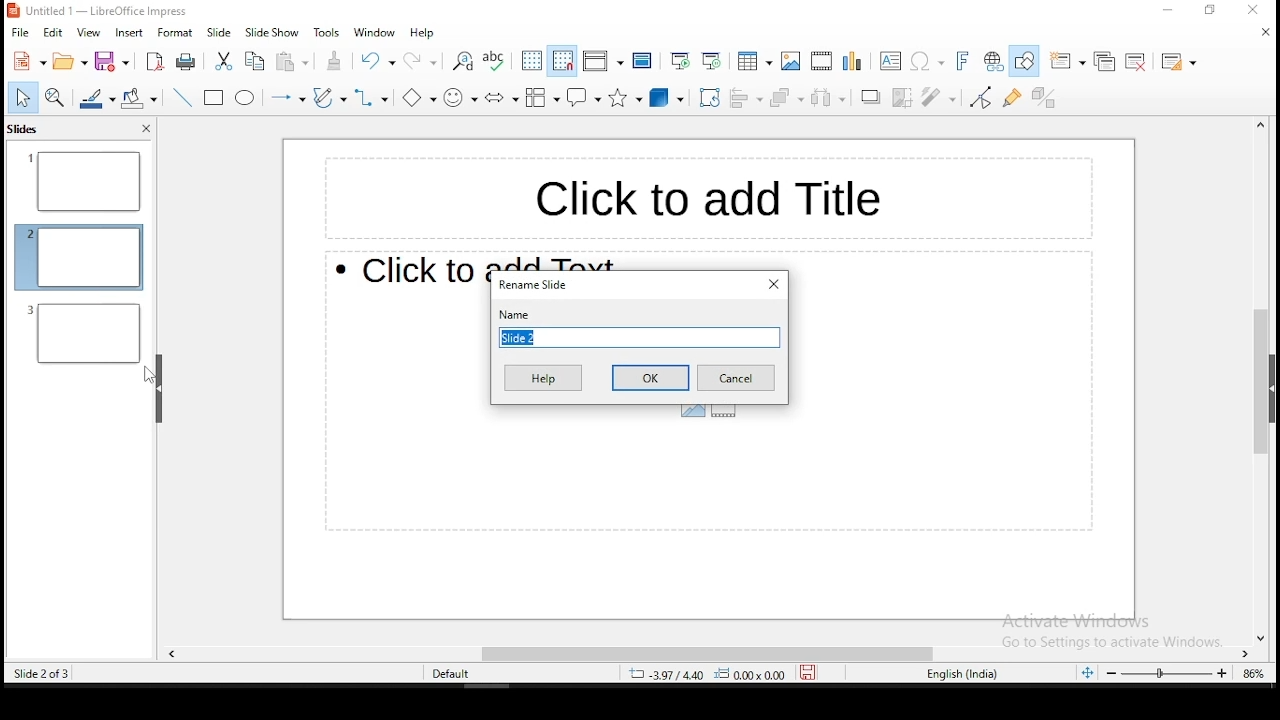 The image size is (1280, 720). What do you see at coordinates (40, 674) in the screenshot?
I see `slide 2 of 3` at bounding box center [40, 674].